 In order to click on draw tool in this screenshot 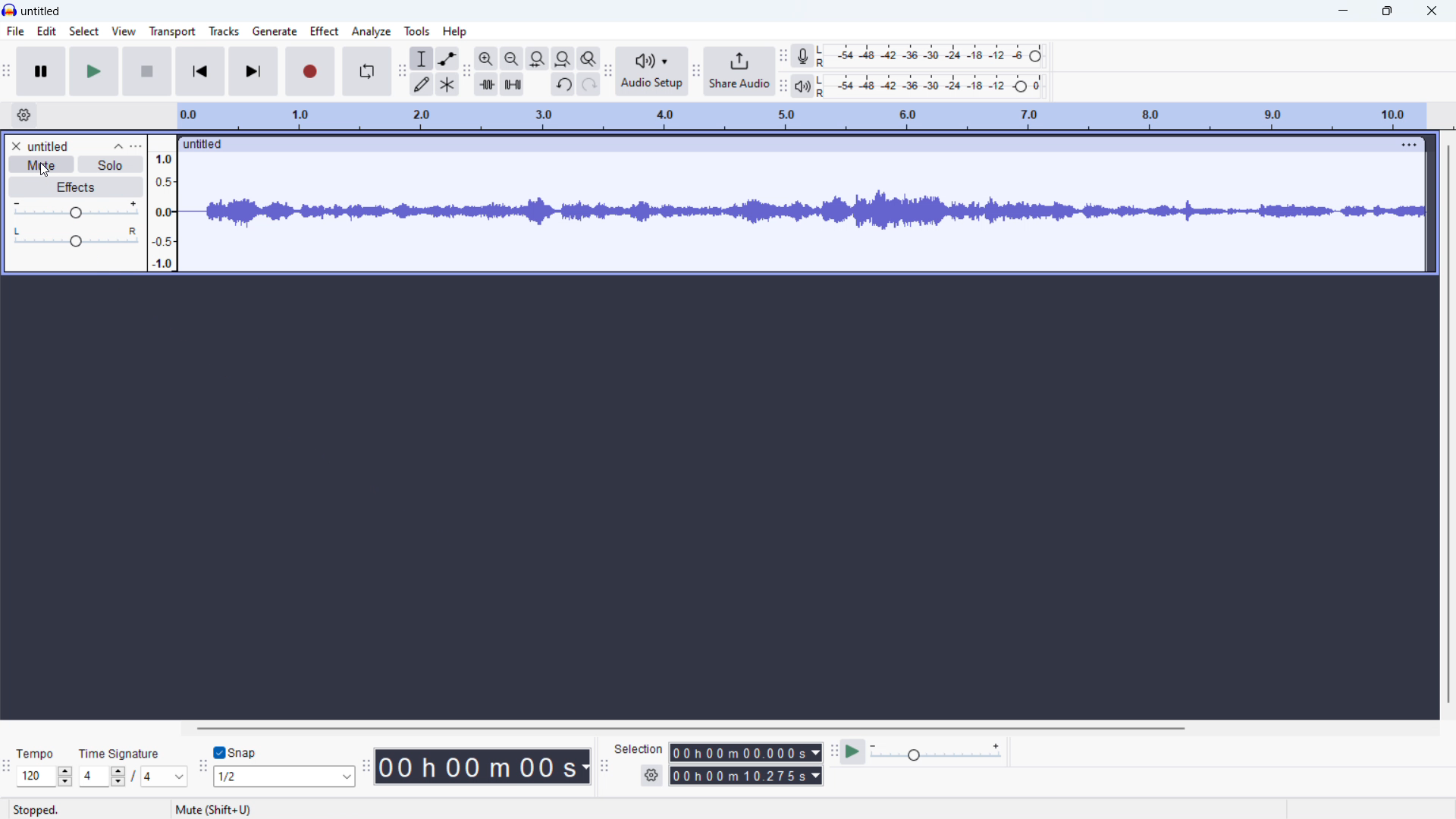, I will do `click(422, 85)`.